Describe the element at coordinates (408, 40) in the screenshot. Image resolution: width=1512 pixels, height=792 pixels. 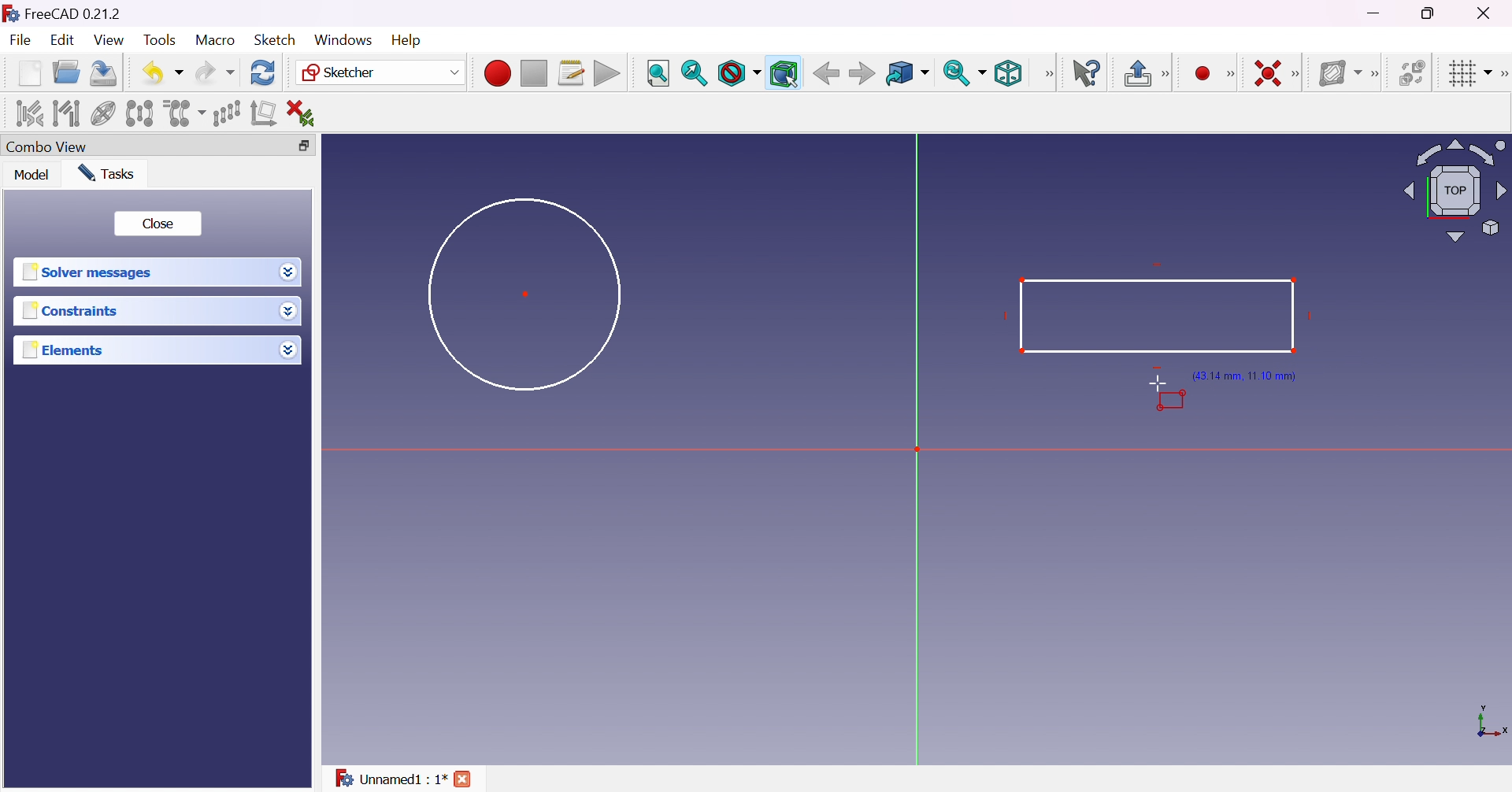
I see `Help` at that location.